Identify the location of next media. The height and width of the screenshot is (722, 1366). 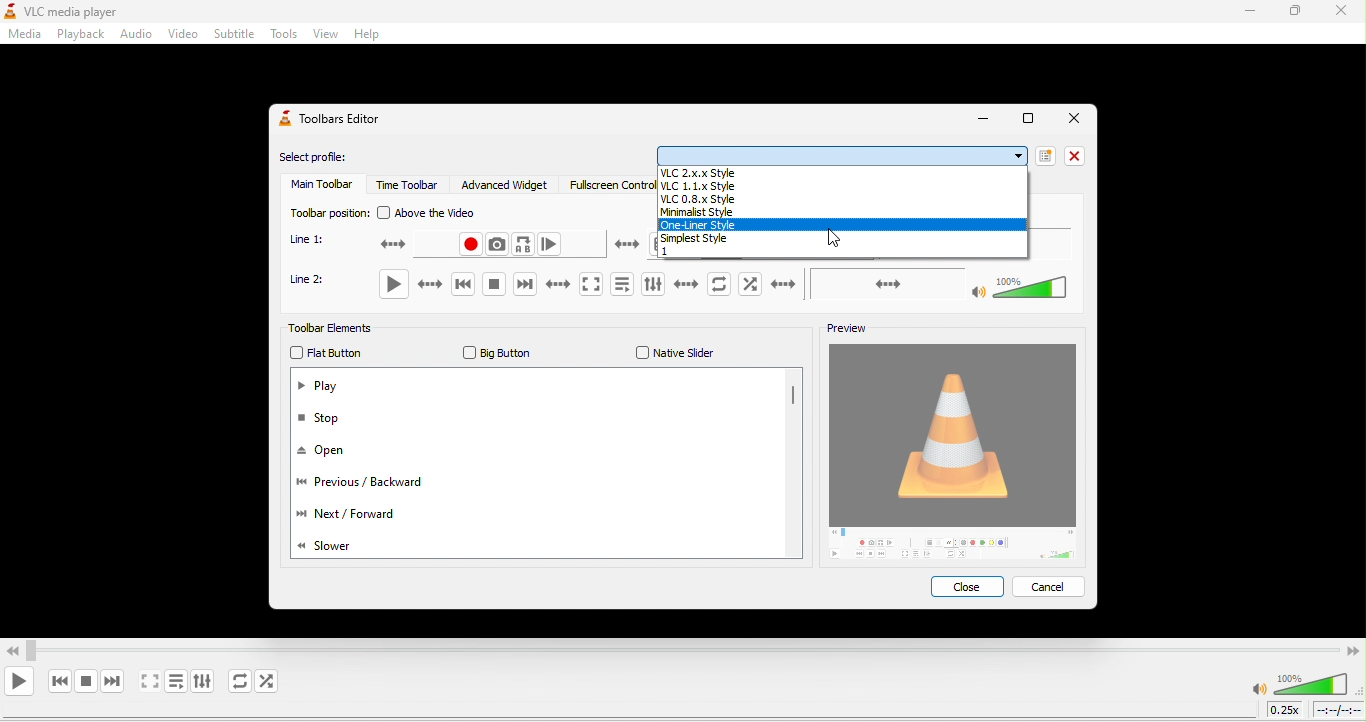
(521, 283).